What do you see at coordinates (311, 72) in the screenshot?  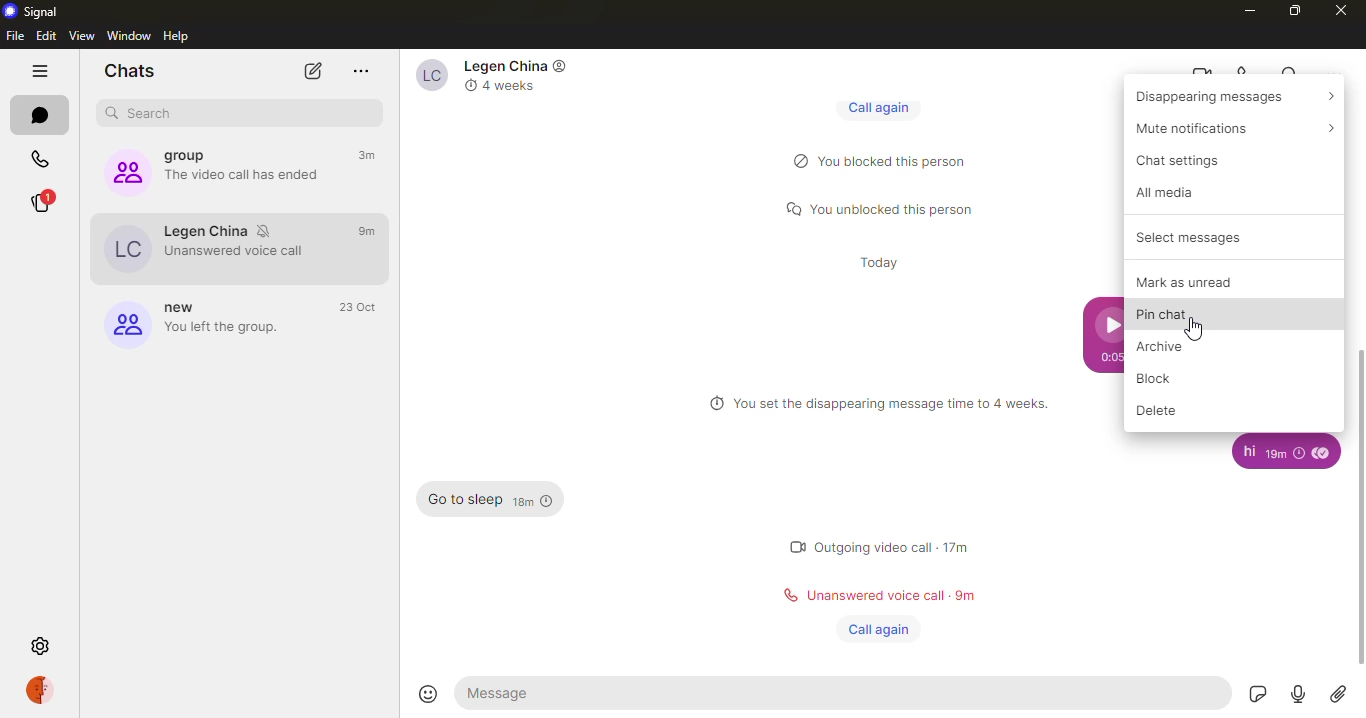 I see `new chat` at bounding box center [311, 72].